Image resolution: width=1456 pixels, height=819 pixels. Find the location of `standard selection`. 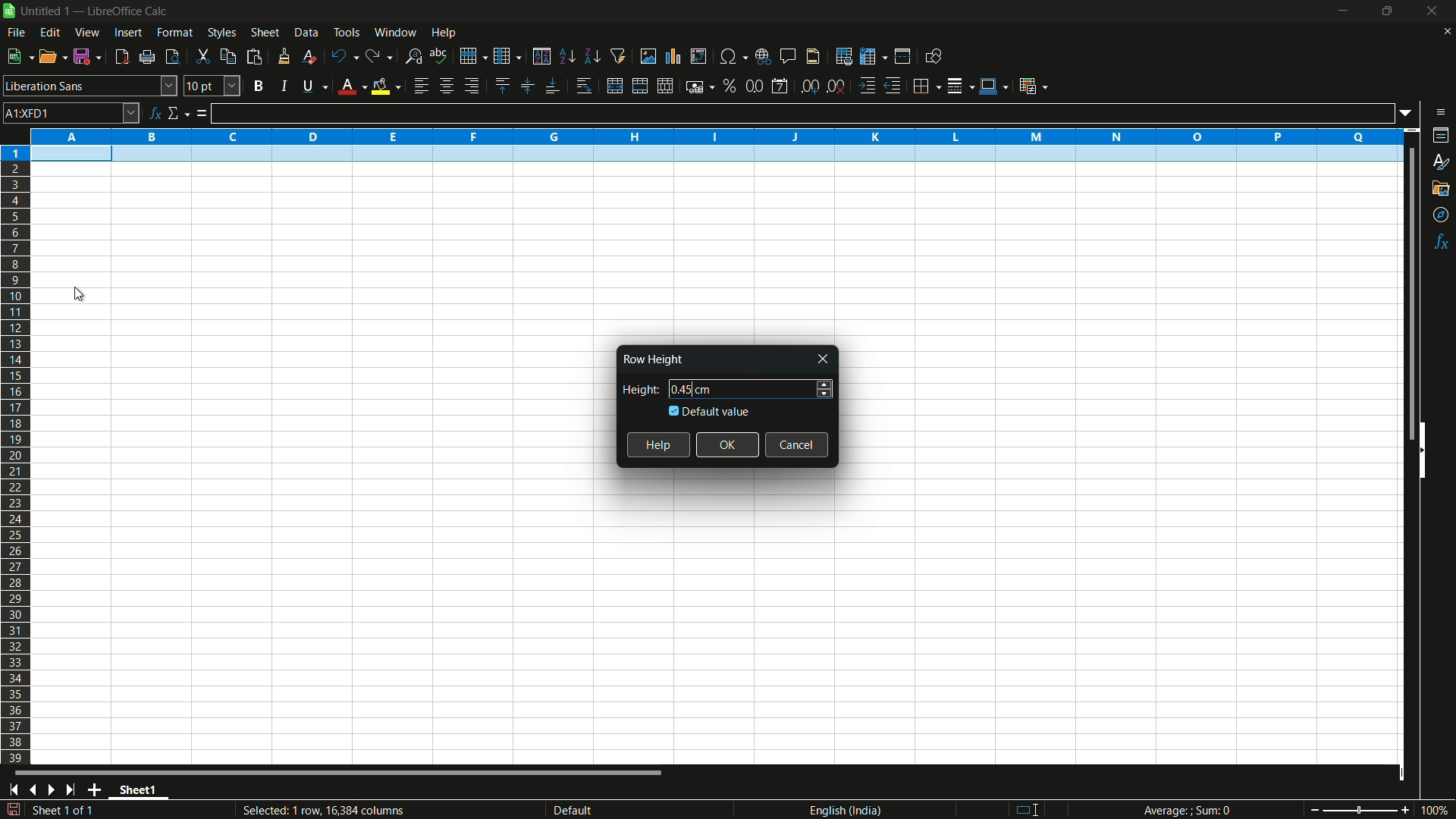

standard selection is located at coordinates (1033, 809).